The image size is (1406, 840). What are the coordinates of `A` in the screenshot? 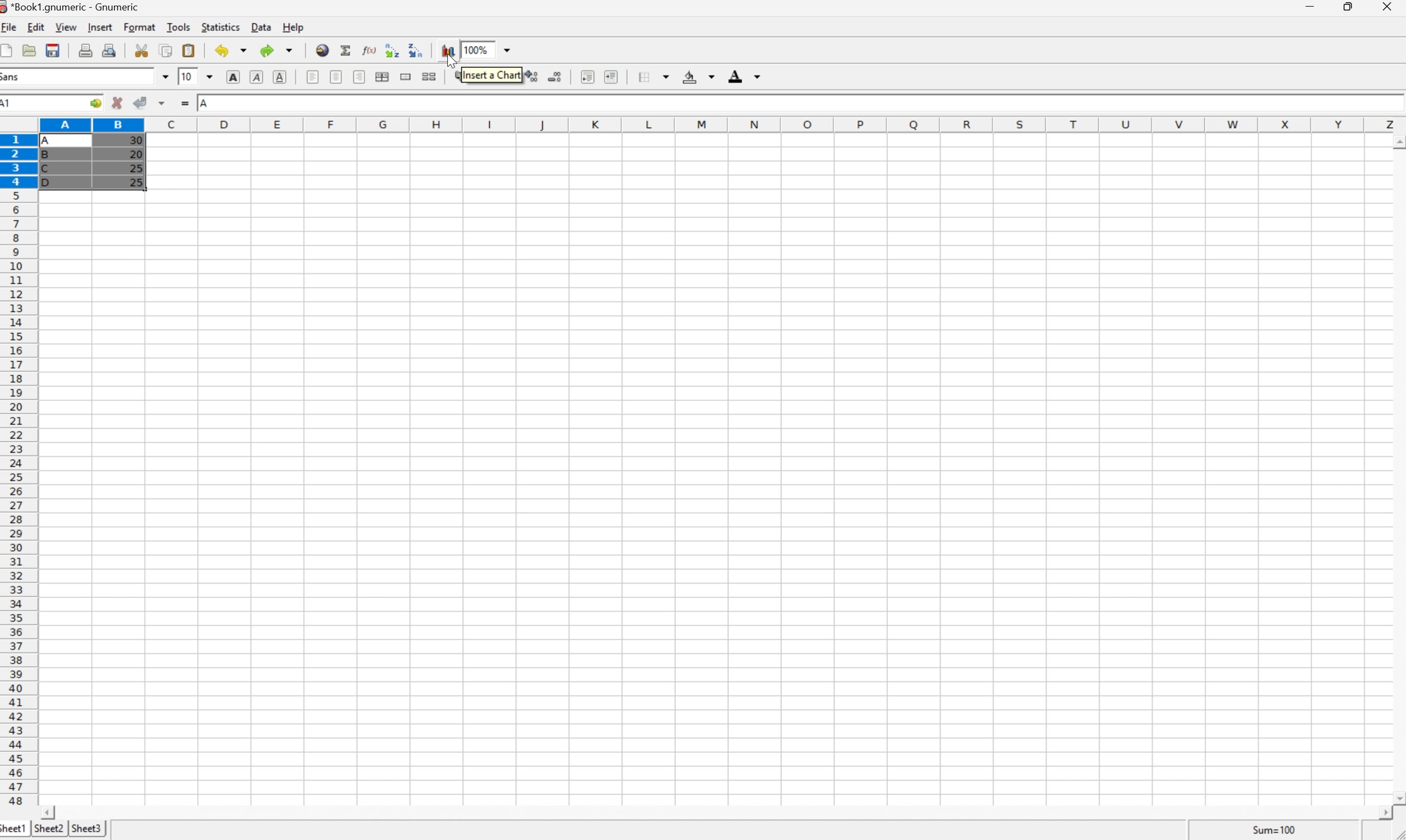 It's located at (50, 138).